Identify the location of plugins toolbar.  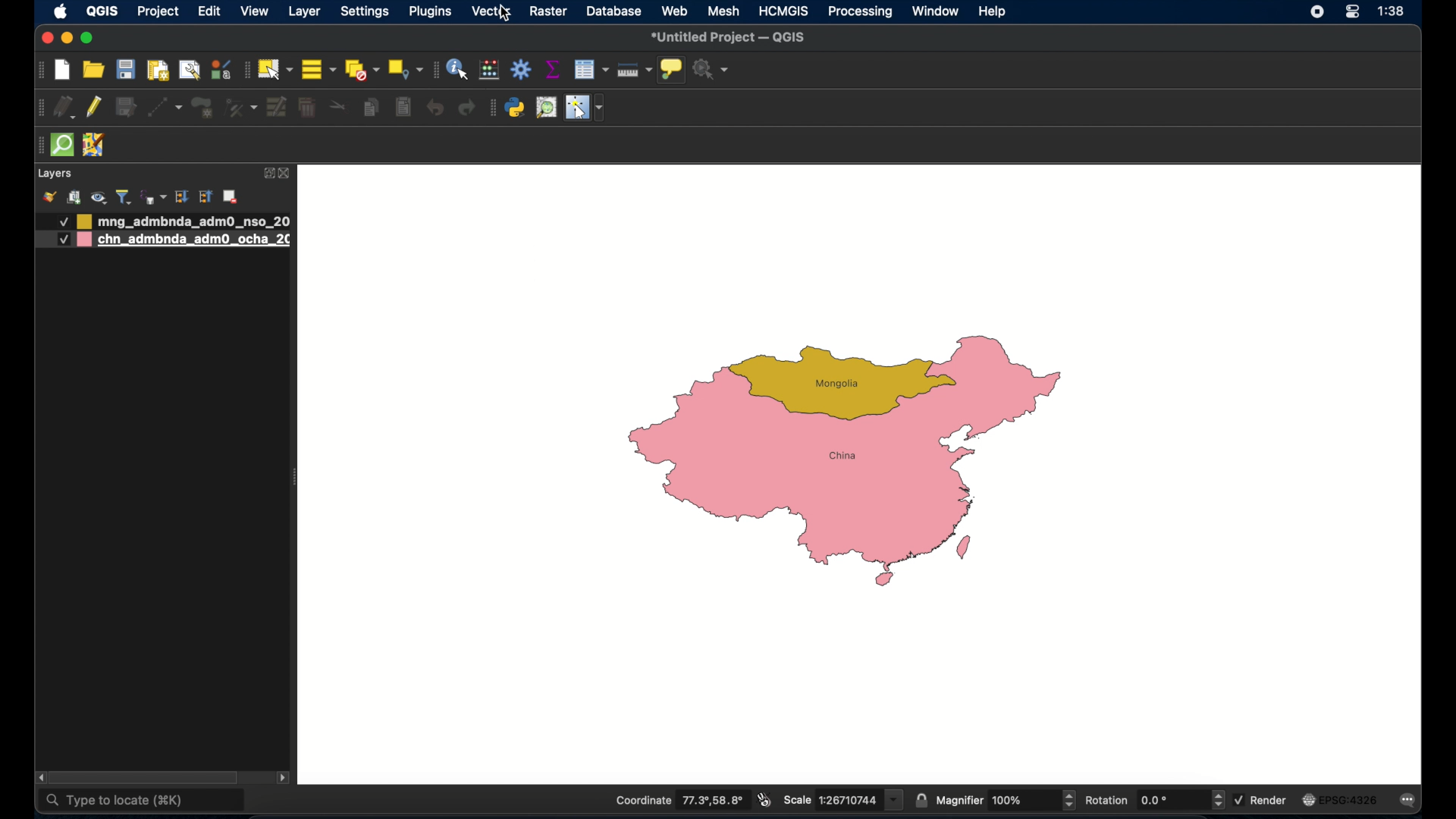
(492, 108).